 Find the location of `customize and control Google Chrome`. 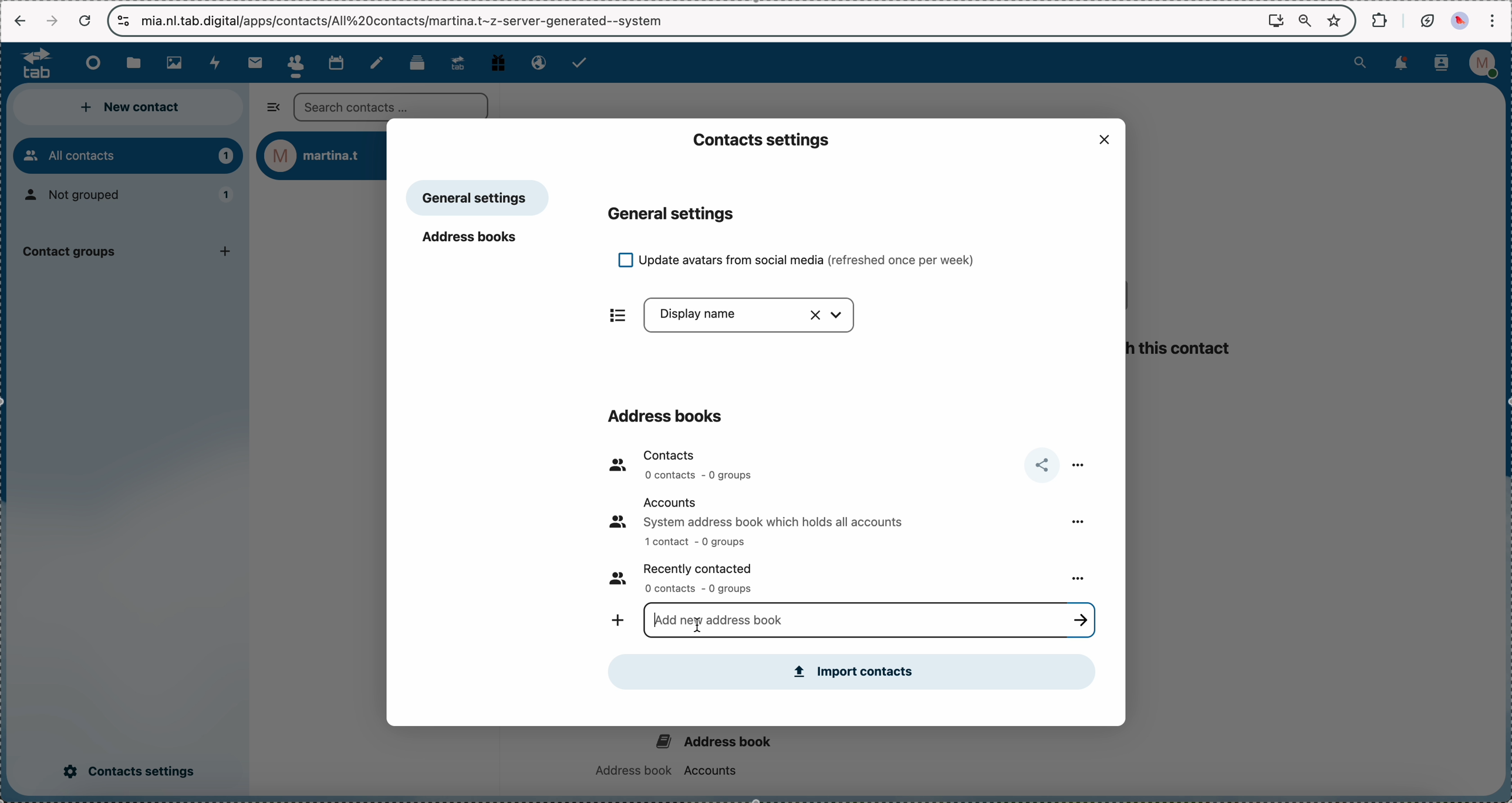

customize and control Google Chrome is located at coordinates (1495, 19).